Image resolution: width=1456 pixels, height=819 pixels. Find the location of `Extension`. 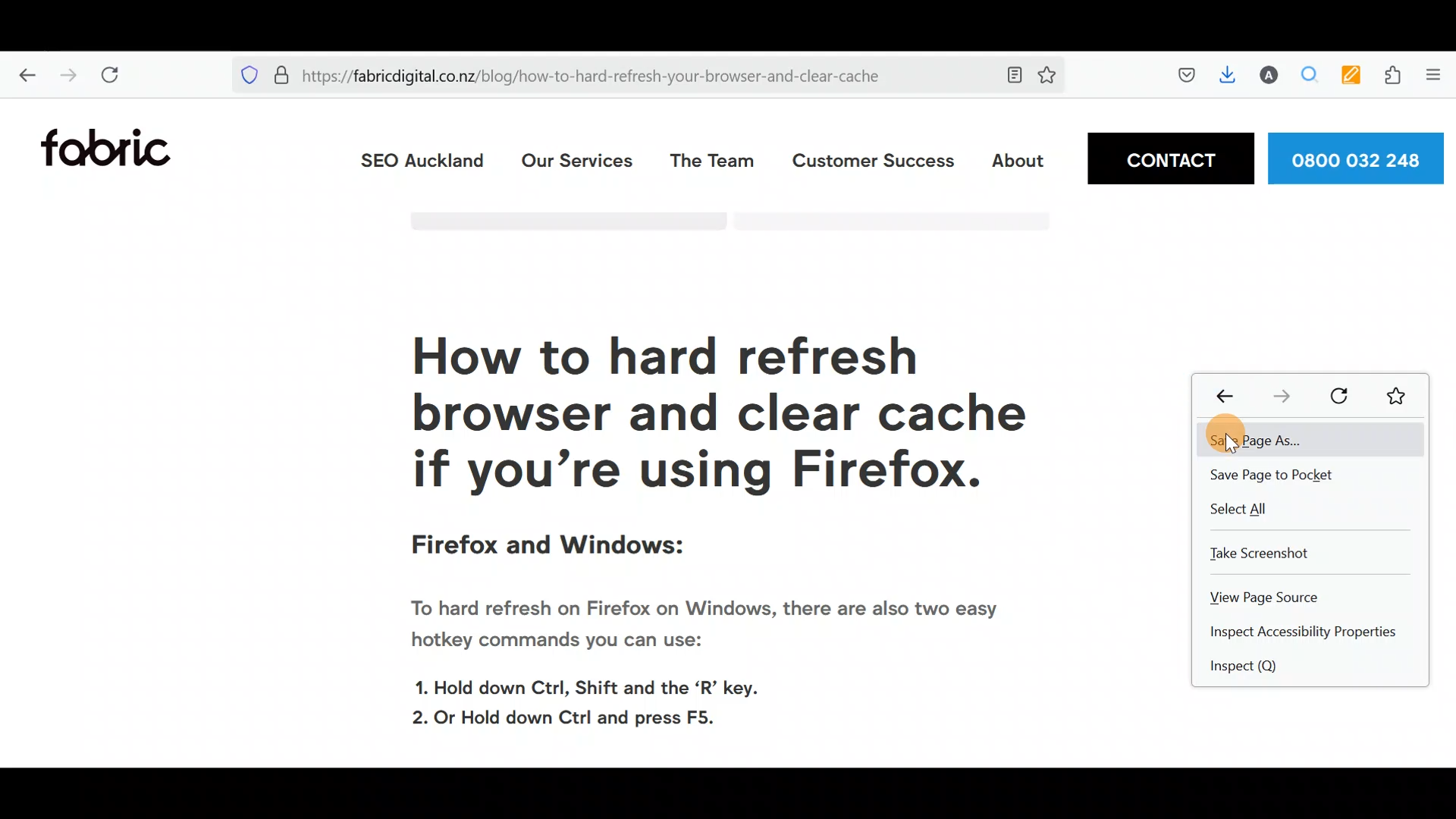

Extension is located at coordinates (1394, 78).